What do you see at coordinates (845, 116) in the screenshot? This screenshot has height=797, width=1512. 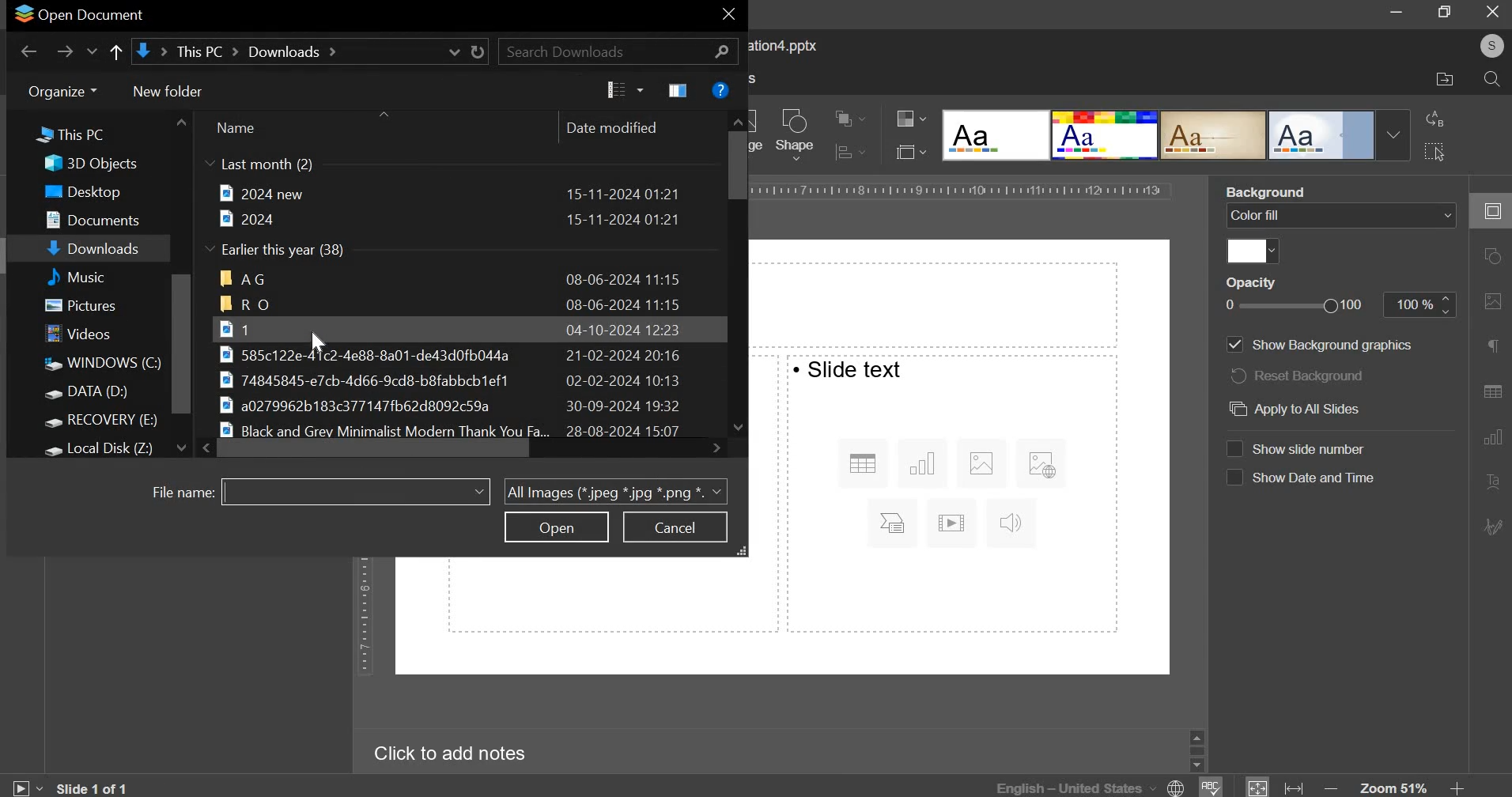 I see `arrangement` at bounding box center [845, 116].